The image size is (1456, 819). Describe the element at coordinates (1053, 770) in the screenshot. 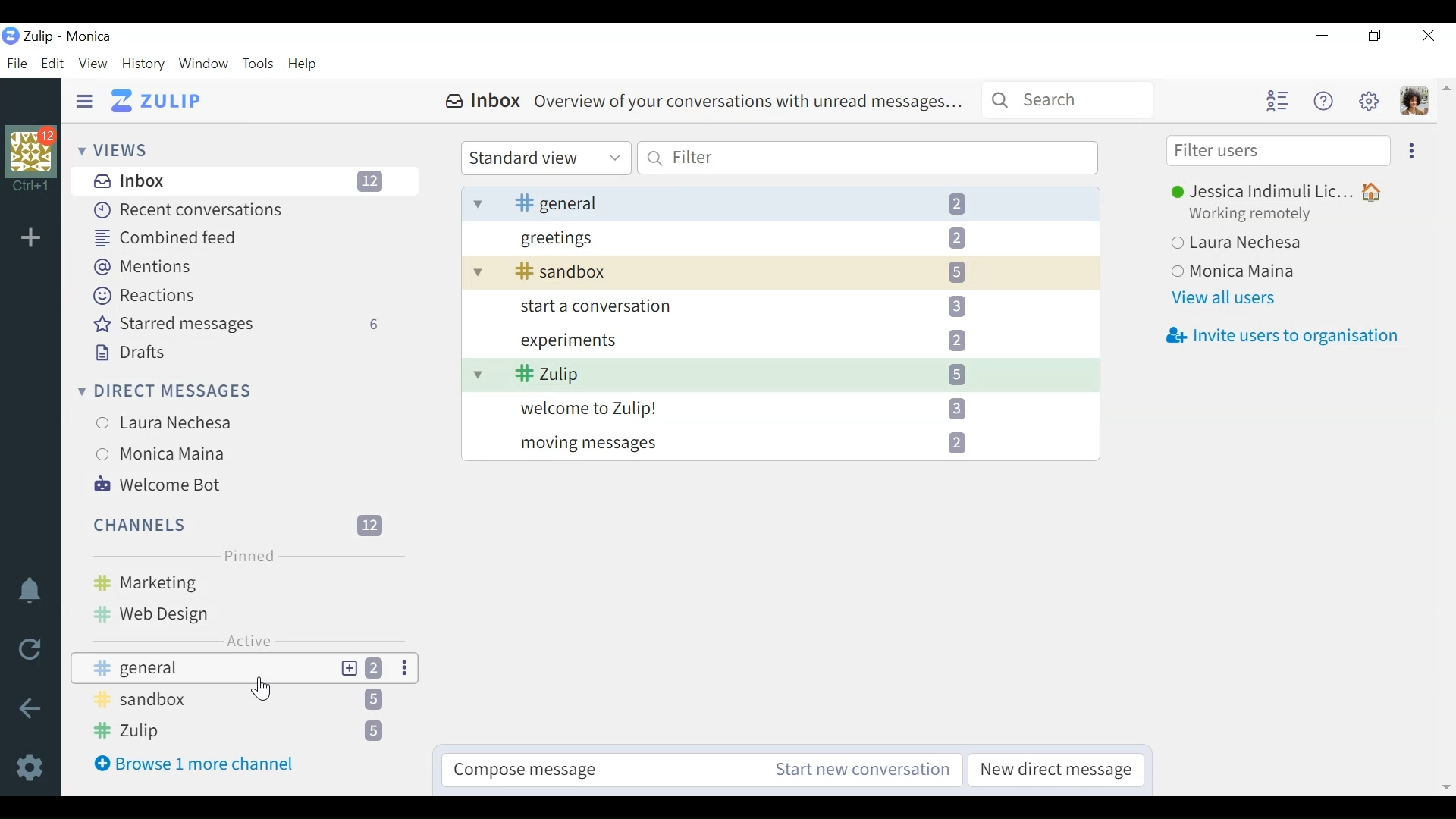

I see `New direct messages` at that location.